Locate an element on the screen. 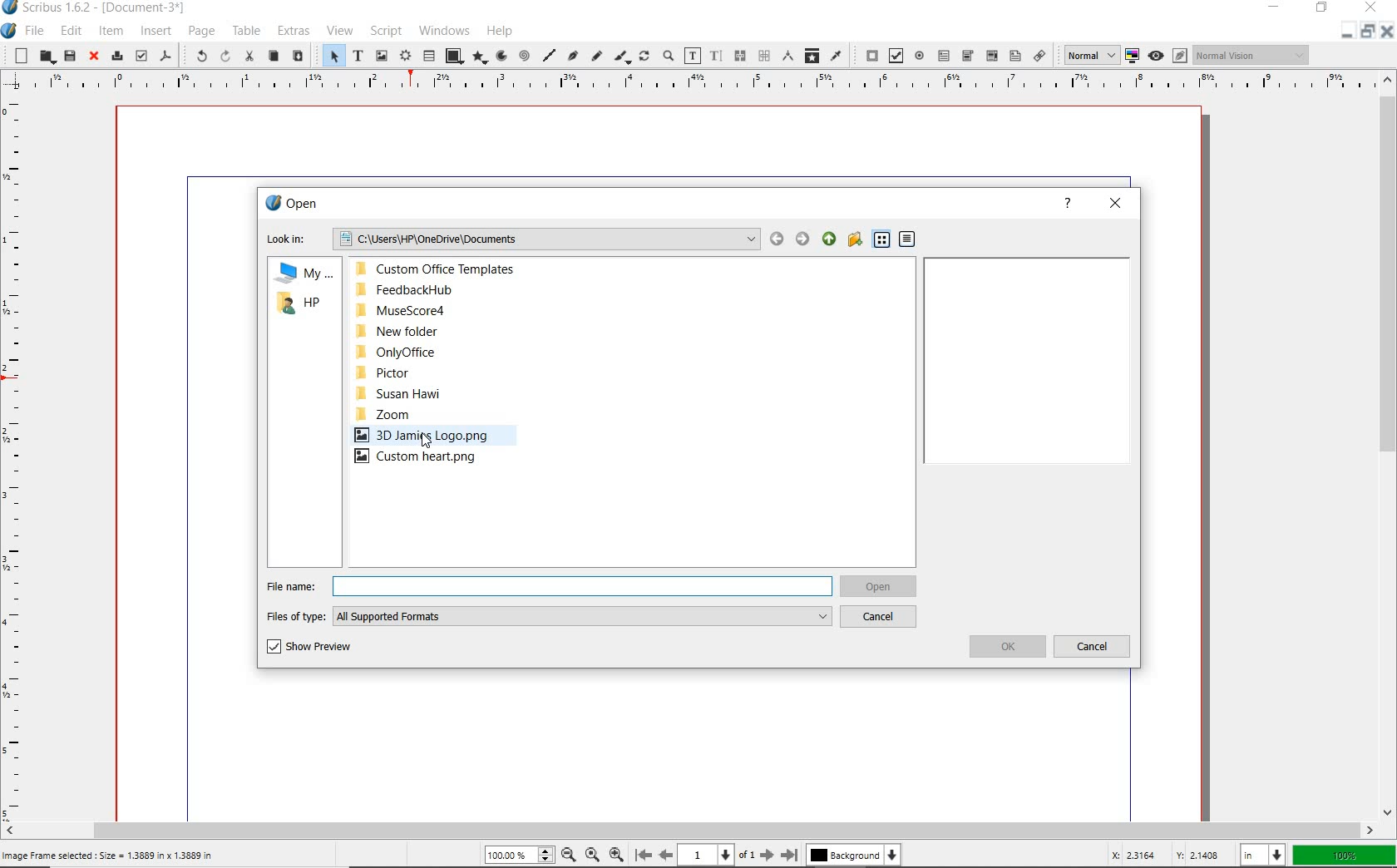 The height and width of the screenshot is (868, 1397). RULER is located at coordinates (684, 81).